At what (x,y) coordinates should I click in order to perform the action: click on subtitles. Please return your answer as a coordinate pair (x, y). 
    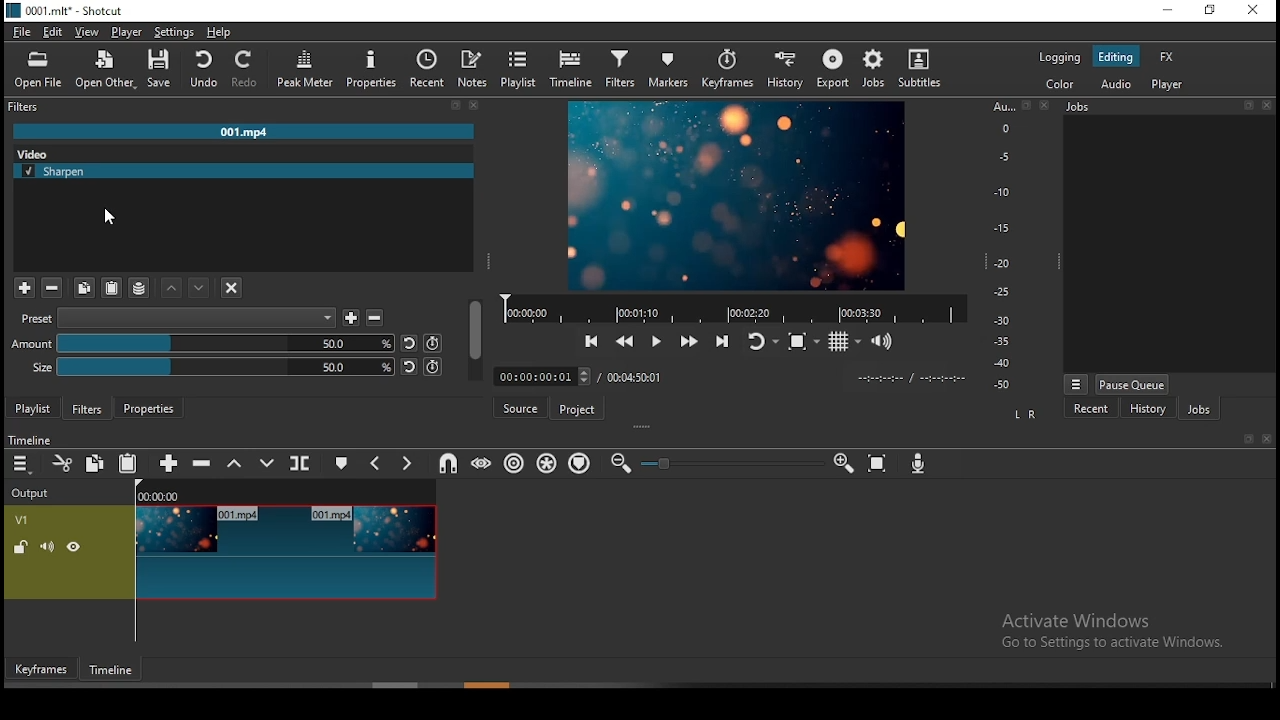
    Looking at the image, I should click on (920, 69).